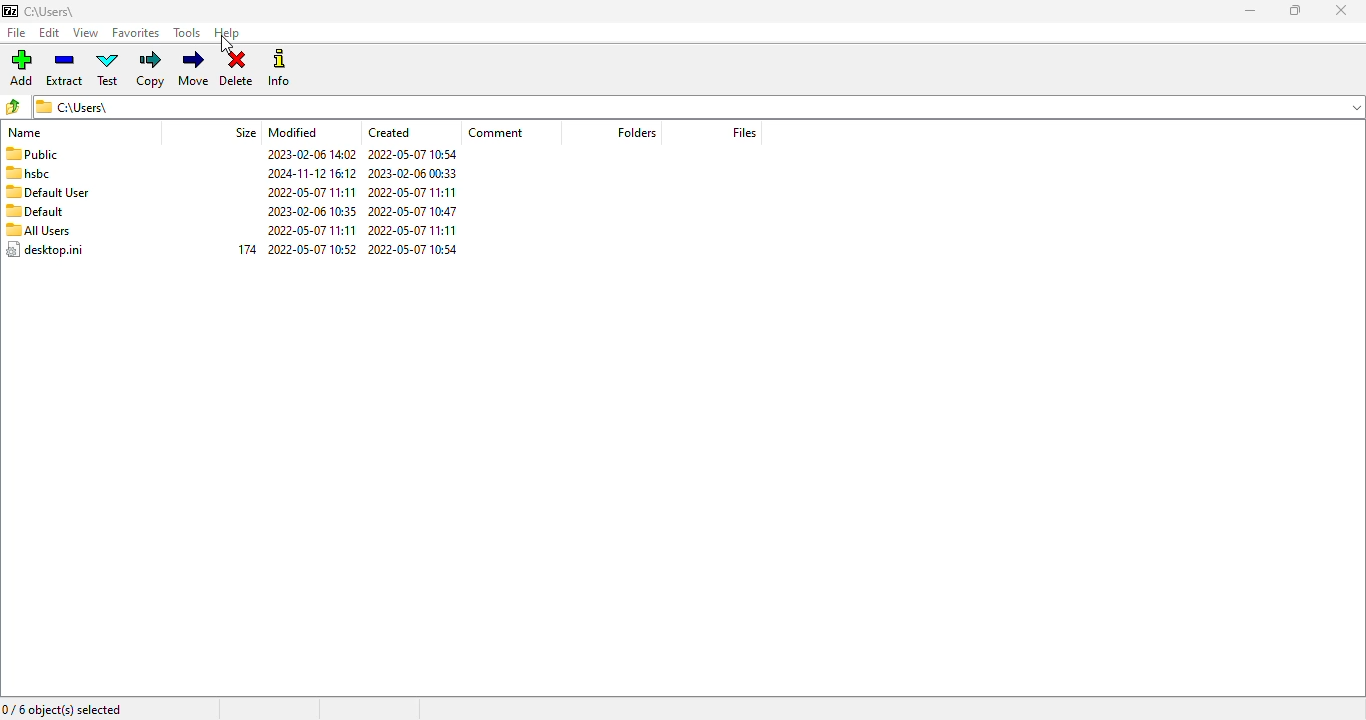 The image size is (1366, 720). I want to click on copy, so click(150, 70).